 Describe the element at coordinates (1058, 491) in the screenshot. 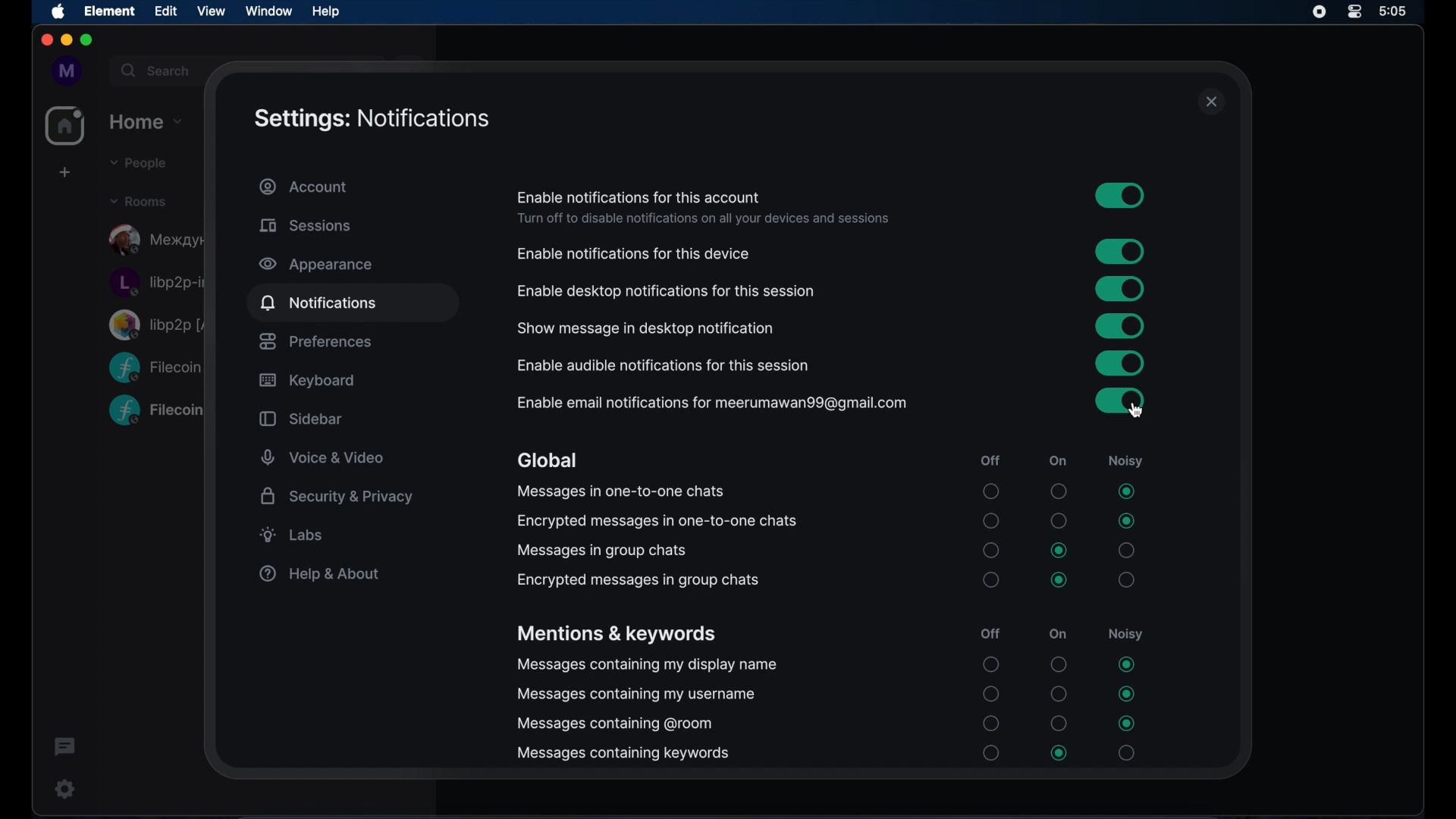

I see `radio button` at that location.